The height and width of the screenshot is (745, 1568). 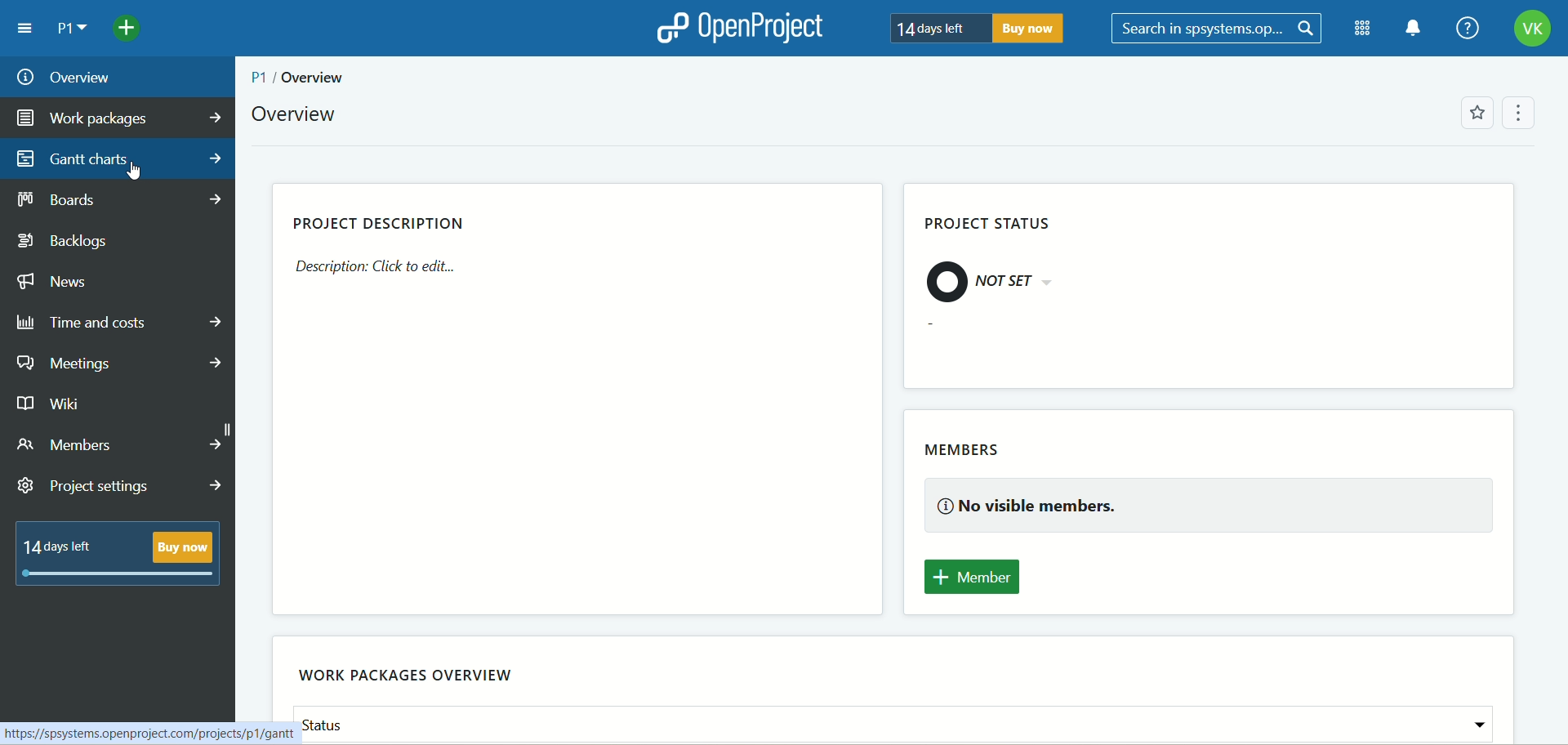 I want to click on help, so click(x=1466, y=28).